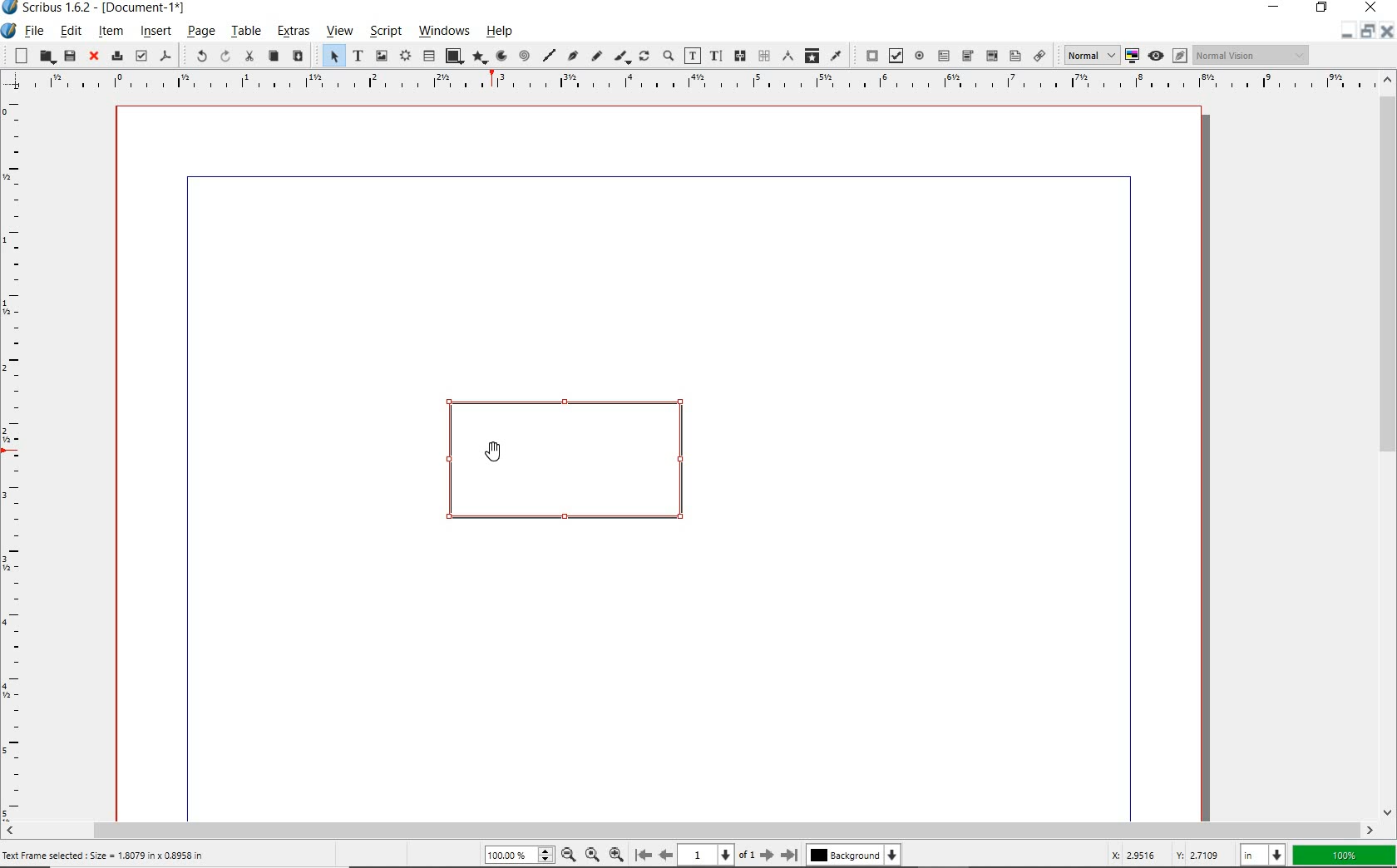 Image resolution: width=1397 pixels, height=868 pixels. Describe the element at coordinates (105, 856) in the screenshot. I see `Text Frame selected : Size = 1.8079 in x 0.8958 in’` at that location.